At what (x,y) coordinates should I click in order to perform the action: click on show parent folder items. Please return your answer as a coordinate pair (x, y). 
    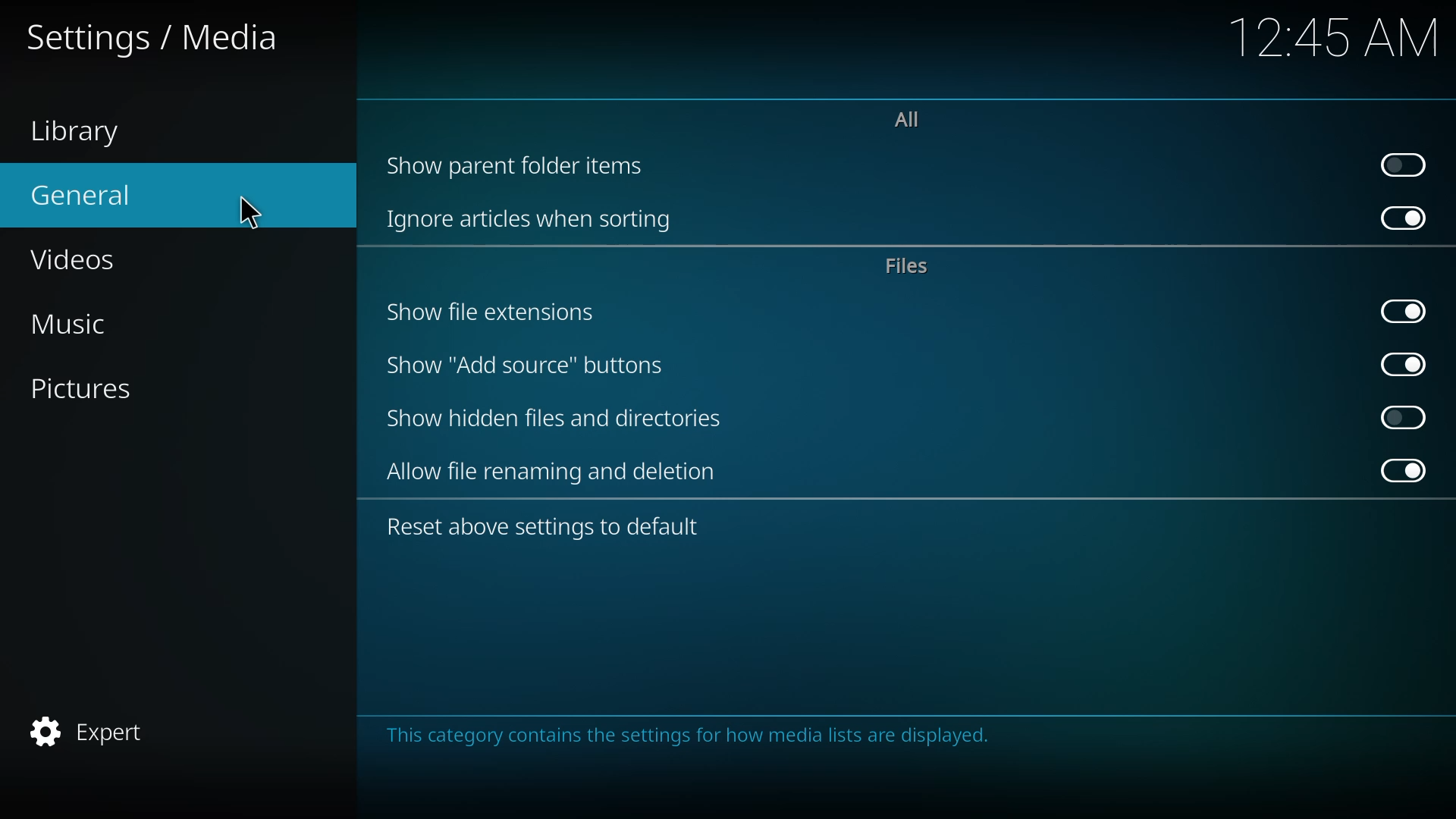
    Looking at the image, I should click on (524, 163).